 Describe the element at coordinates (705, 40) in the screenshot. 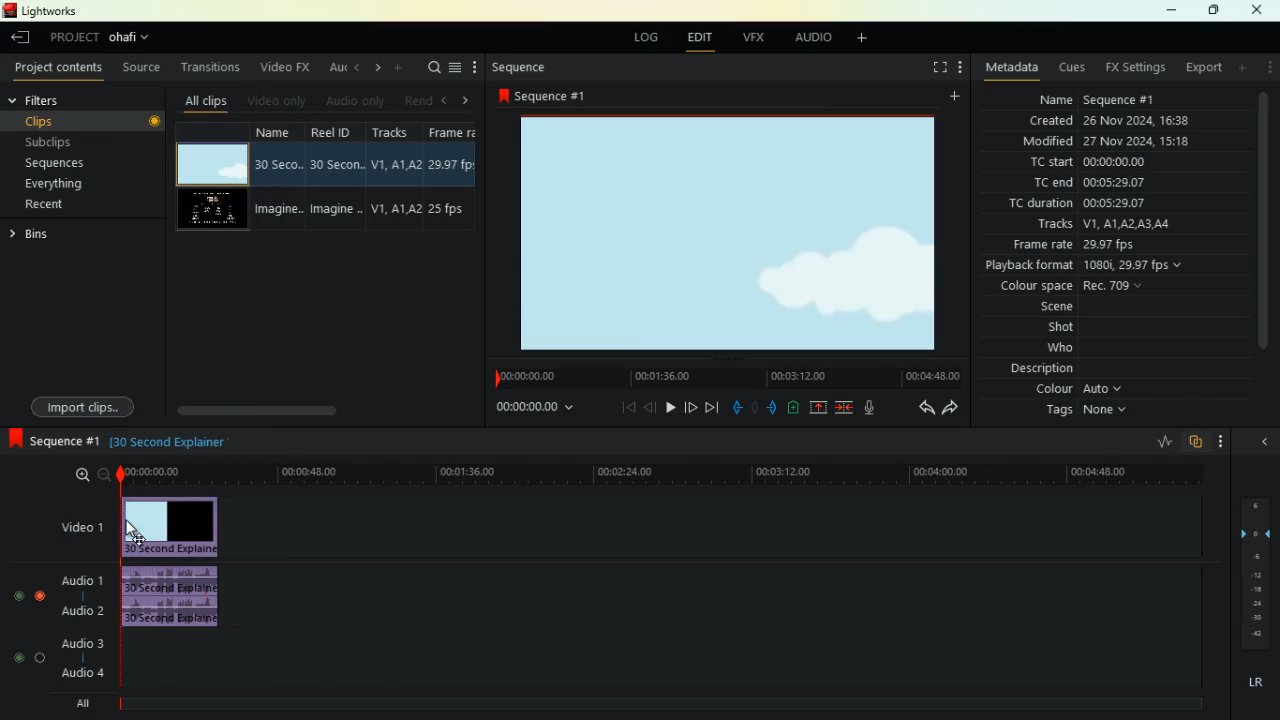

I see `edit` at that location.